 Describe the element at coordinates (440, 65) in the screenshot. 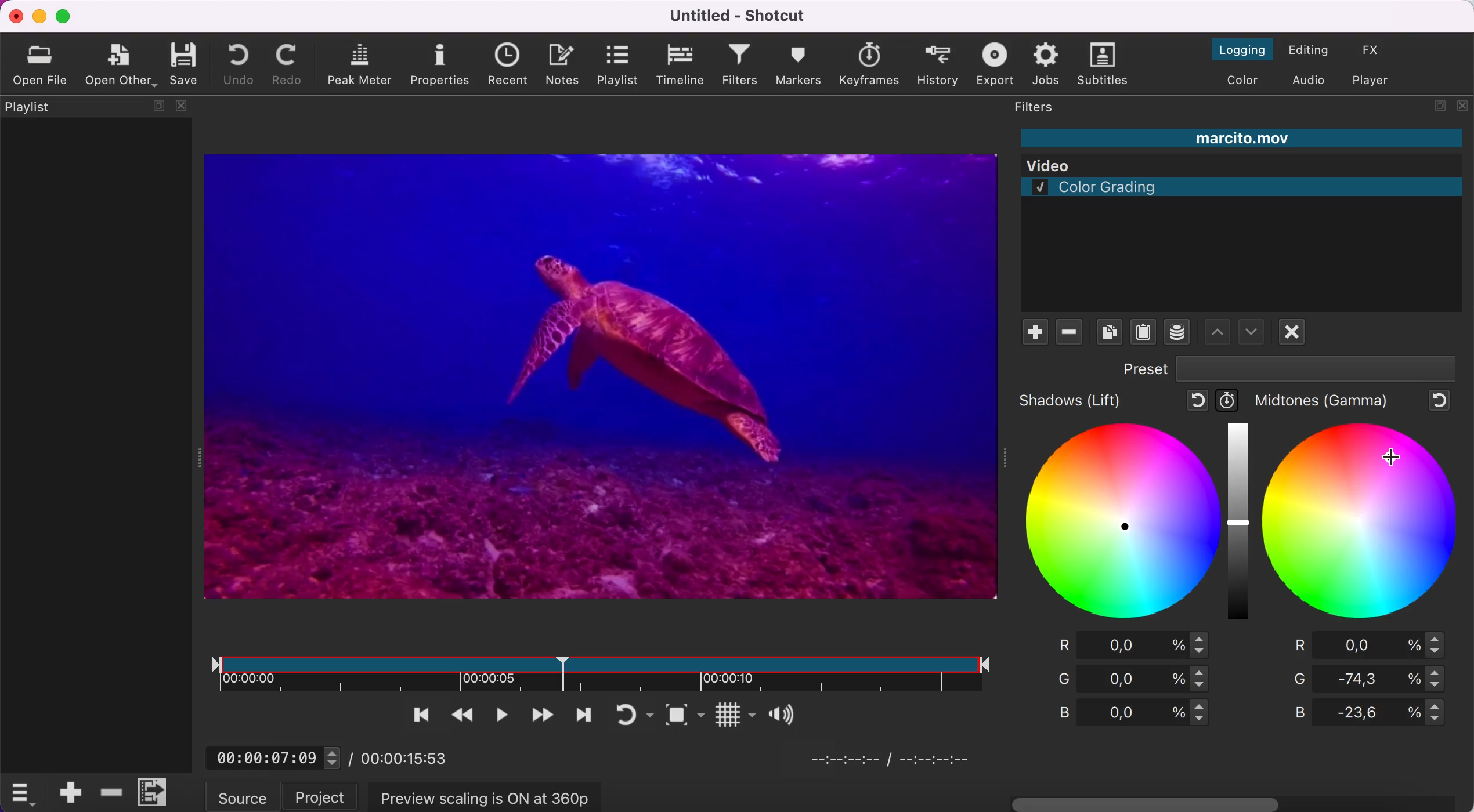

I see `properties` at that location.